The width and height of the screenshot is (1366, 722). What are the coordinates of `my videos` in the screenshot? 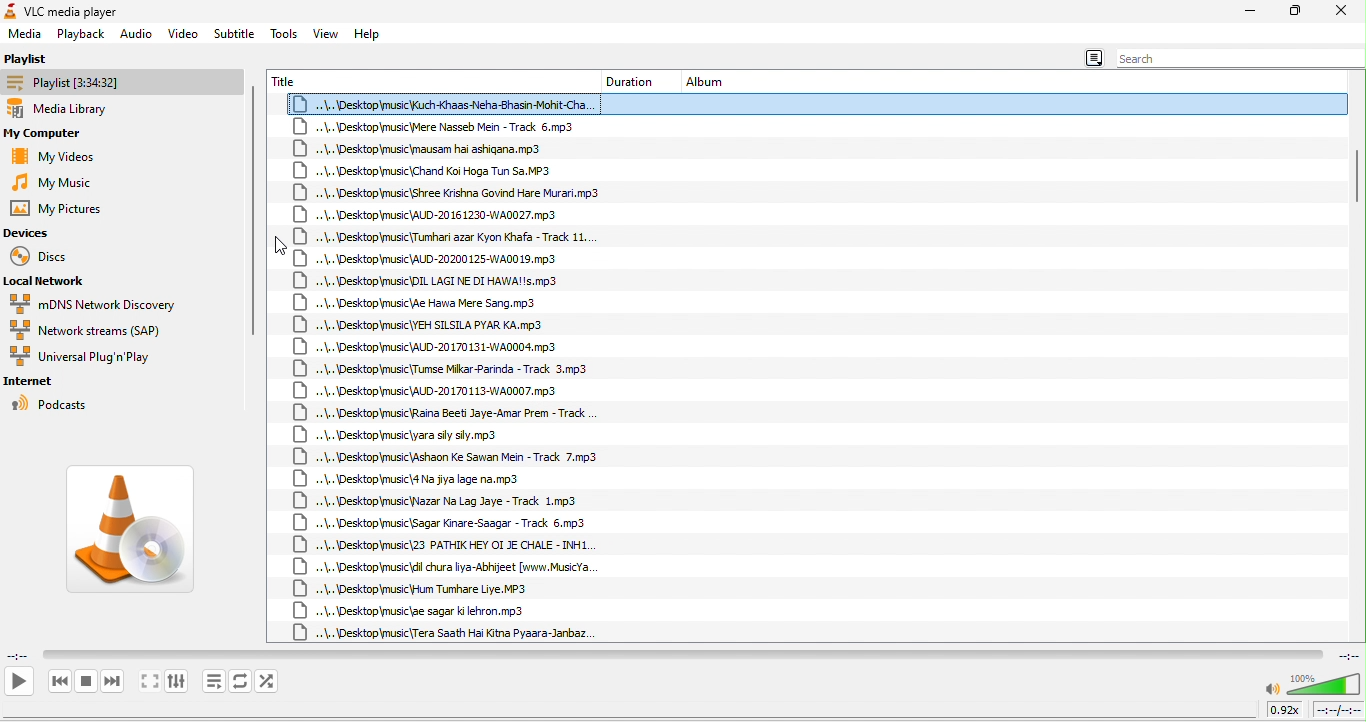 It's located at (62, 157).